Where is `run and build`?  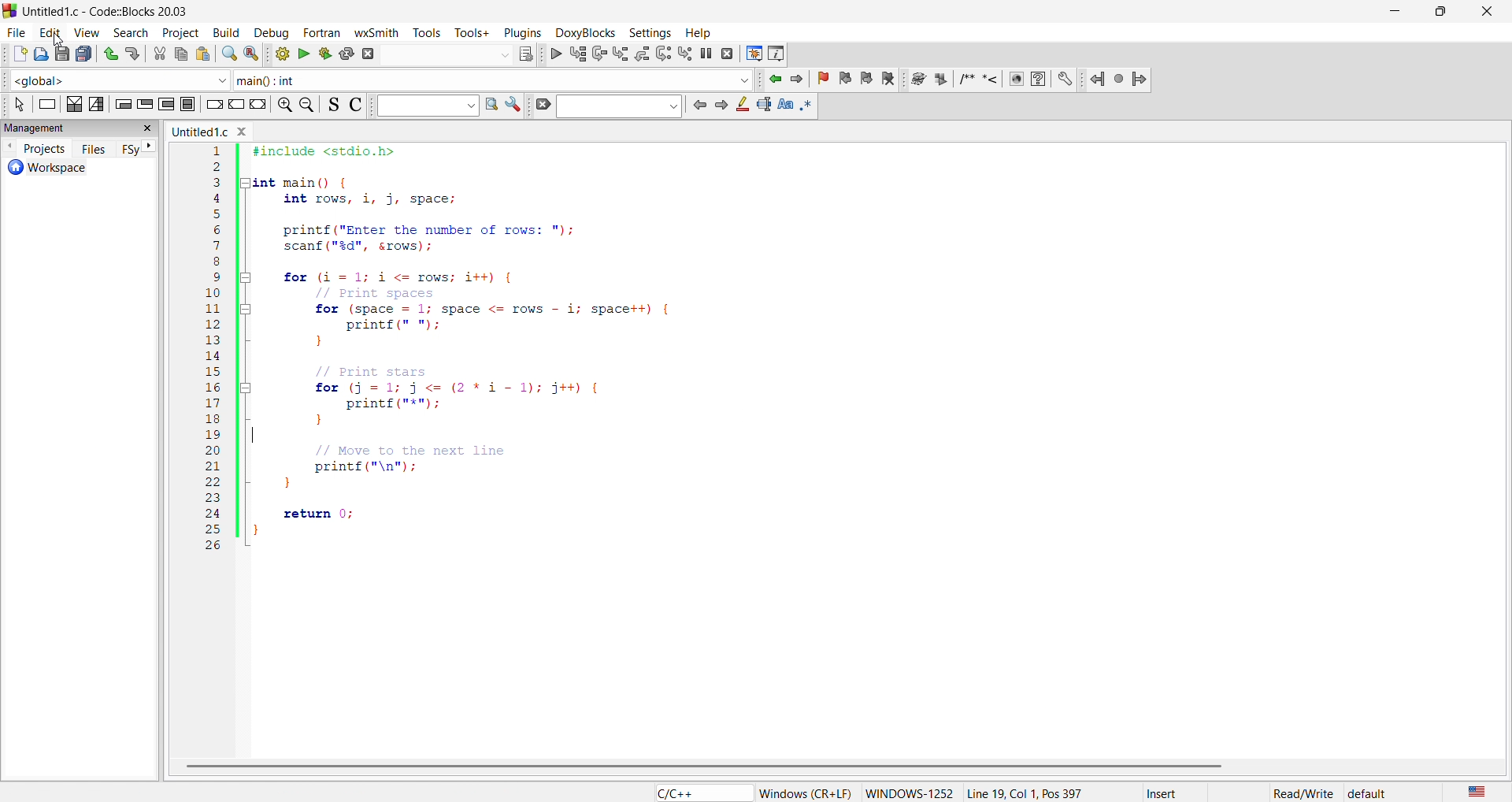
run and build is located at coordinates (323, 53).